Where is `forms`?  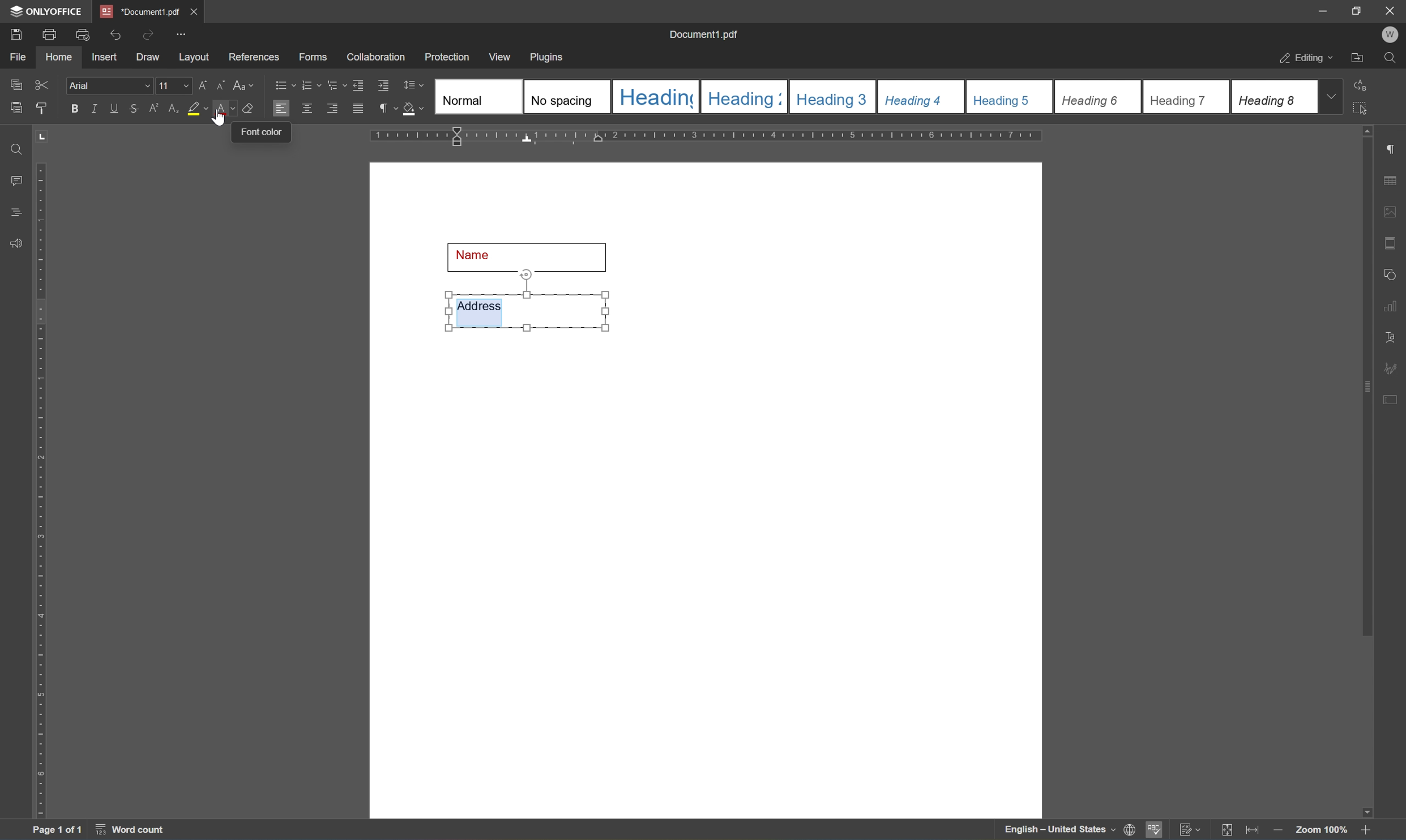 forms is located at coordinates (312, 57).